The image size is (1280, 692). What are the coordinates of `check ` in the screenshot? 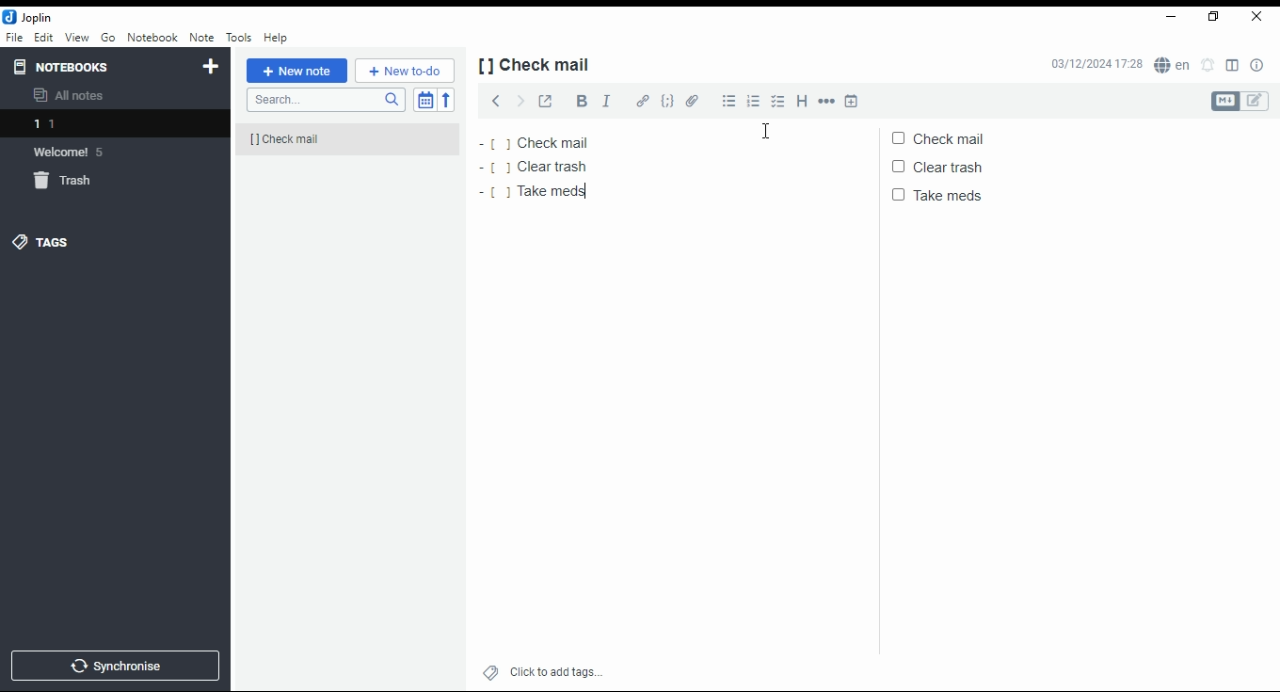 It's located at (948, 139).